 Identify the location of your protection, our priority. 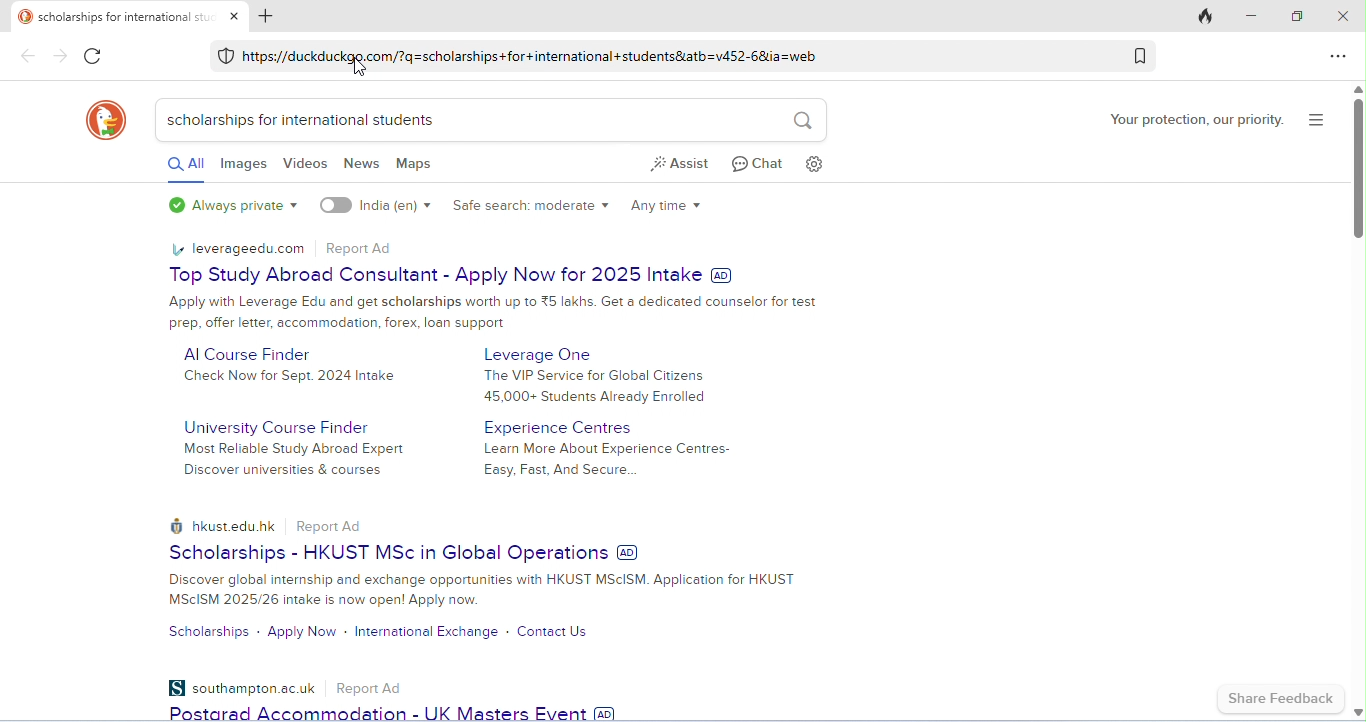
(1196, 119).